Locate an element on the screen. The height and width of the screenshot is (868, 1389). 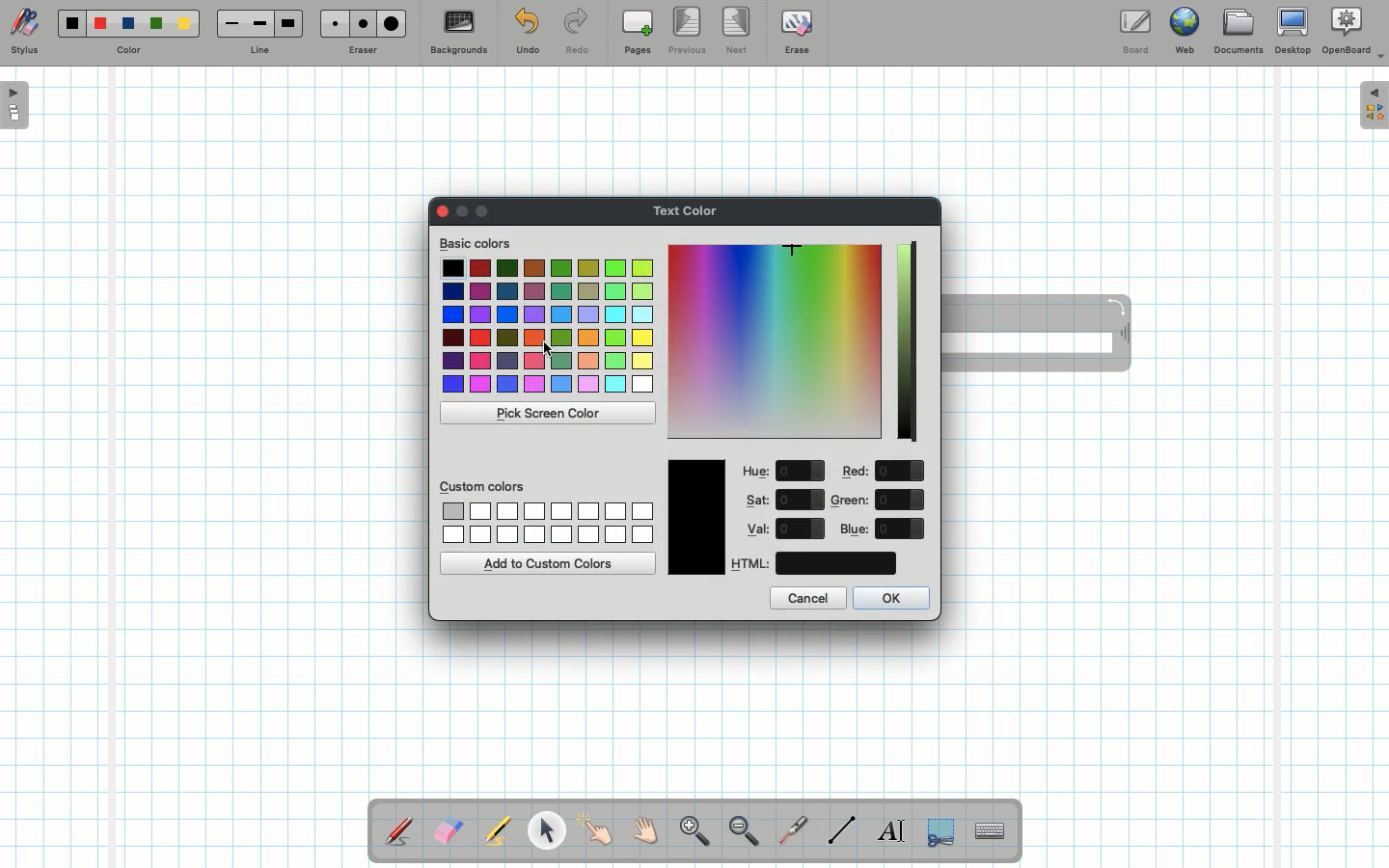
Small eraser is located at coordinates (330, 23).